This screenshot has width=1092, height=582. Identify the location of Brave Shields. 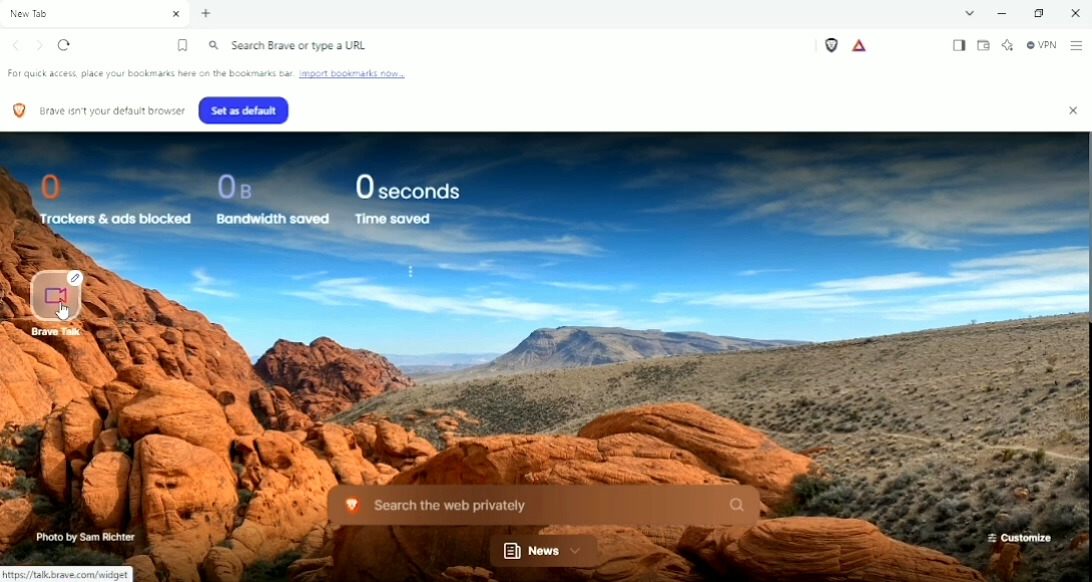
(832, 45).